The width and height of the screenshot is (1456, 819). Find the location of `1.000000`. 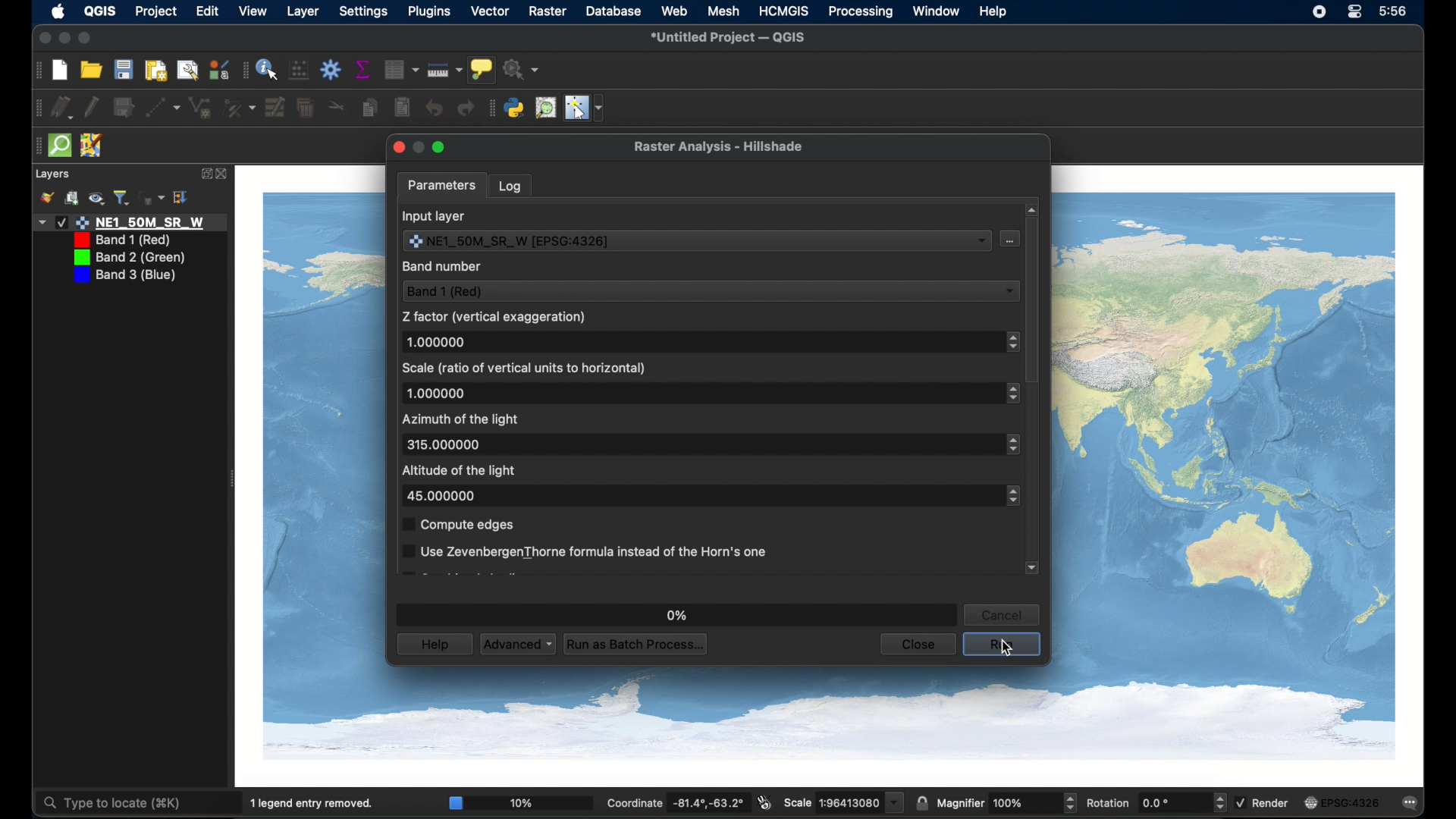

1.000000 is located at coordinates (437, 343).